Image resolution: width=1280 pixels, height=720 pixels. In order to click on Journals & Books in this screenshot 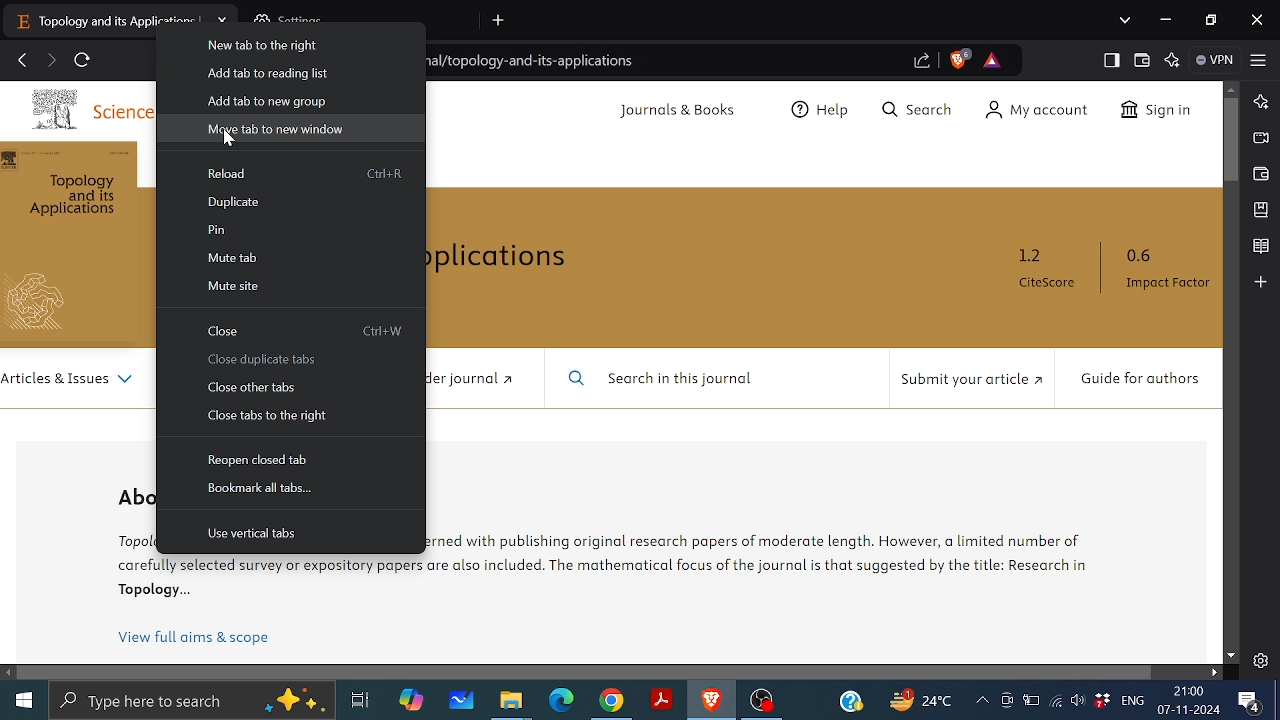, I will do `click(679, 111)`.